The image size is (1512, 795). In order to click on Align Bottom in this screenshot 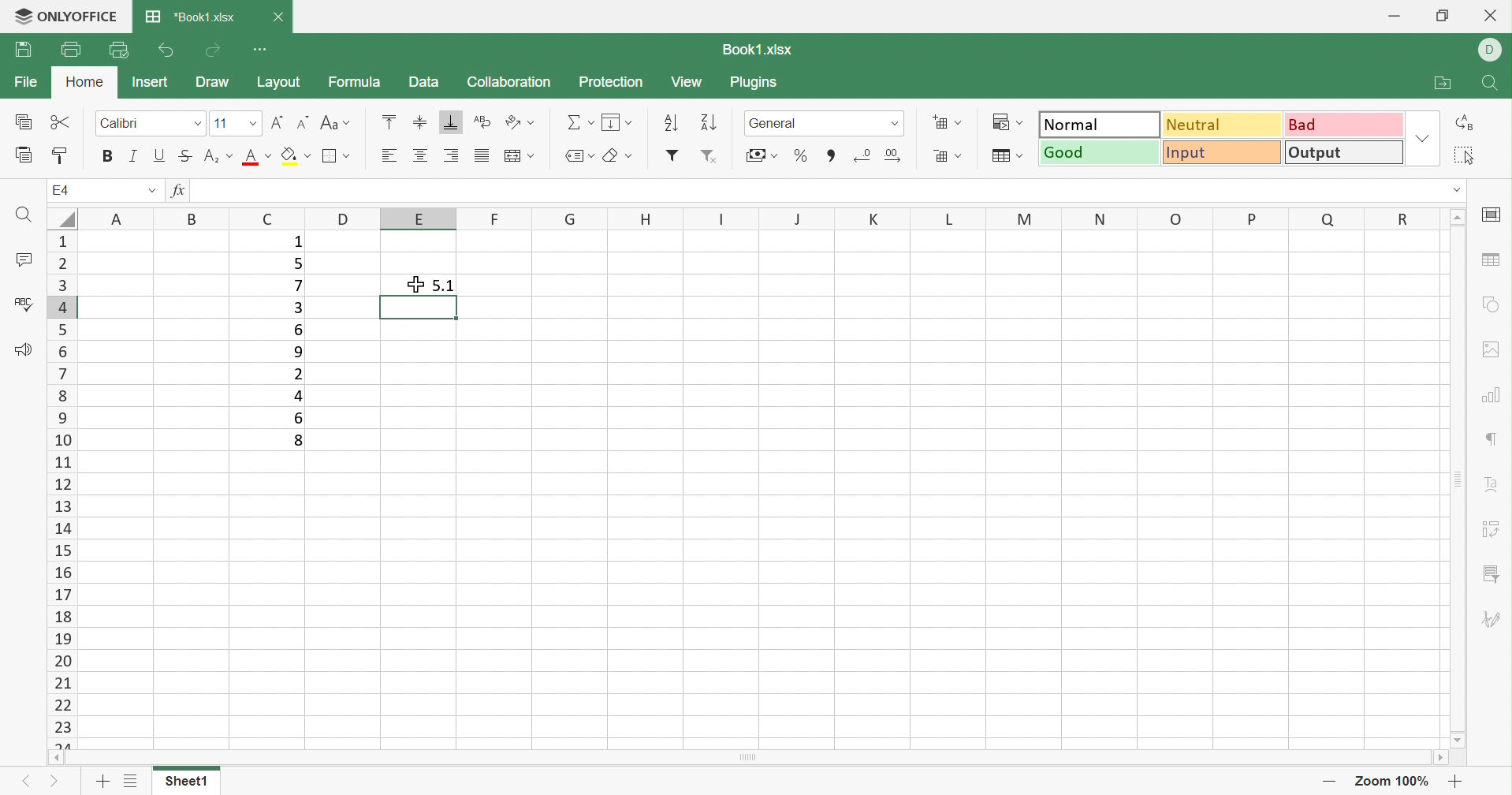, I will do `click(453, 125)`.